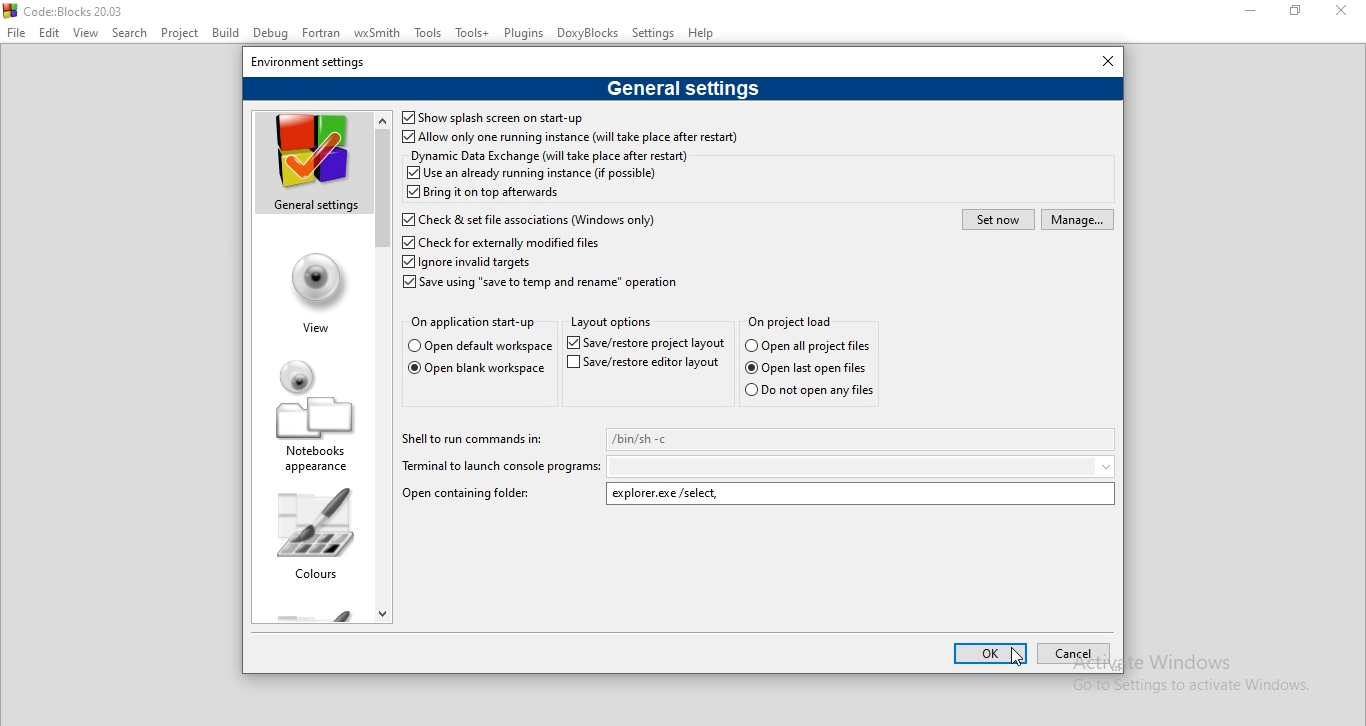 The image size is (1366, 726). What do you see at coordinates (467, 263) in the screenshot?
I see `Ignore invalid targets` at bounding box center [467, 263].